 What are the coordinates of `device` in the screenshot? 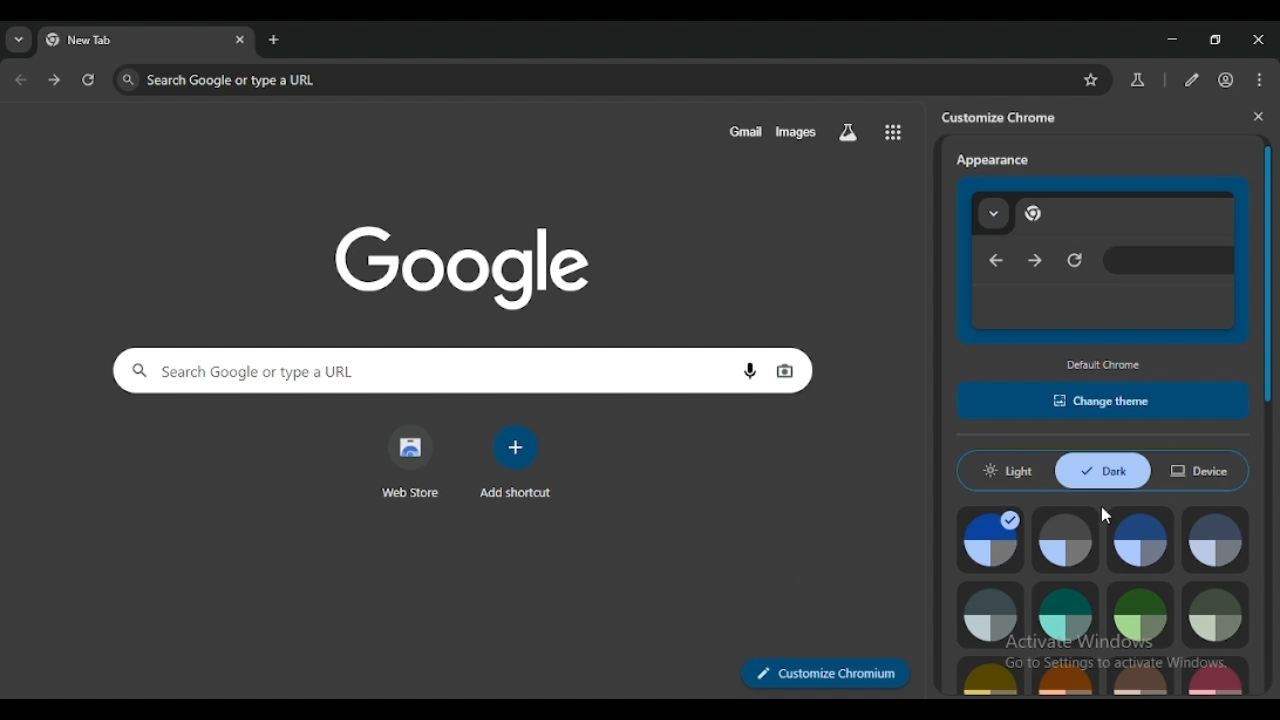 It's located at (1201, 471).